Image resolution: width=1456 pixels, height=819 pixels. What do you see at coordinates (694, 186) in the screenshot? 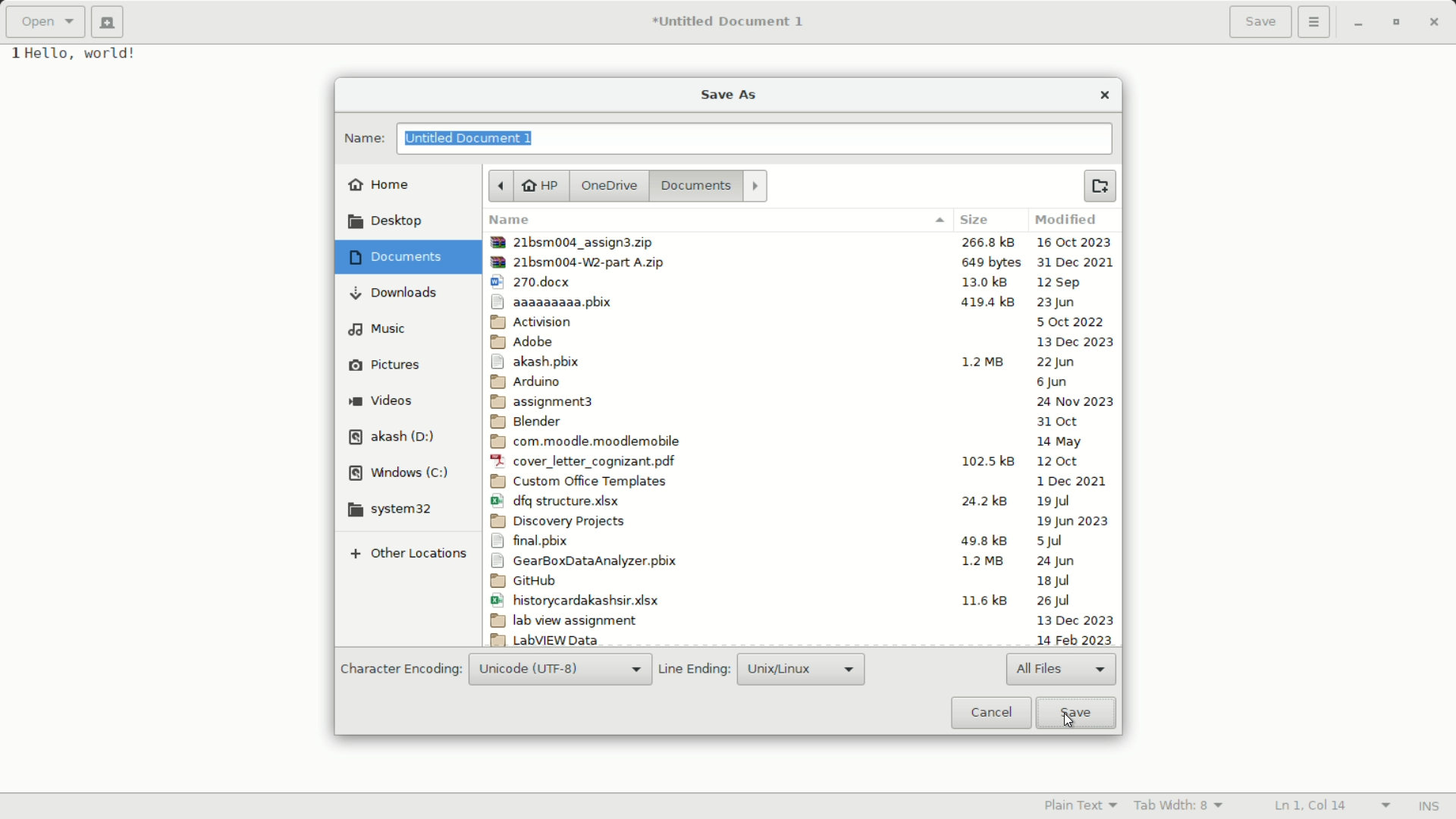
I see `system32` at bounding box center [694, 186].